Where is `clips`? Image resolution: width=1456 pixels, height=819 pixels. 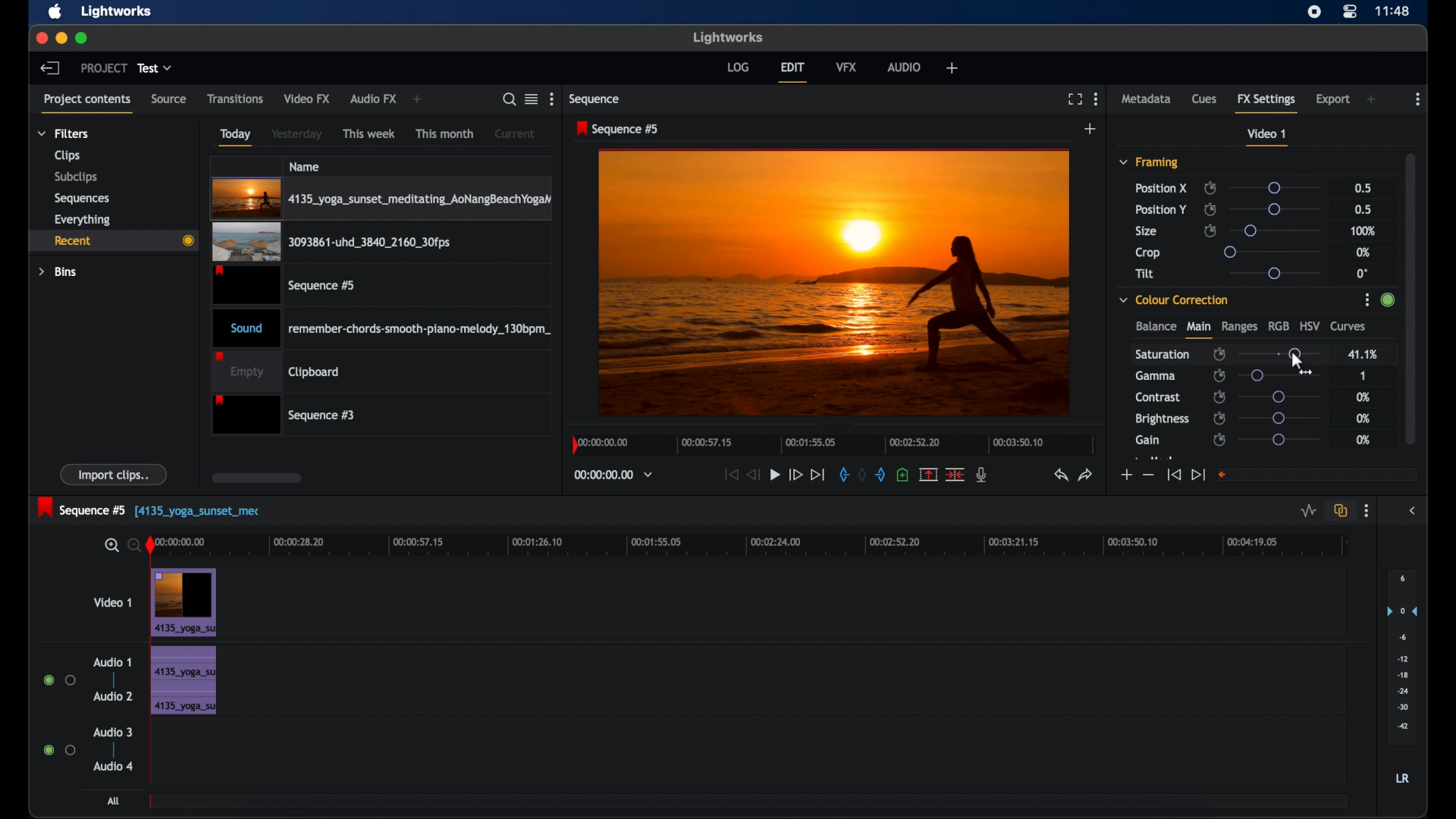 clips is located at coordinates (65, 155).